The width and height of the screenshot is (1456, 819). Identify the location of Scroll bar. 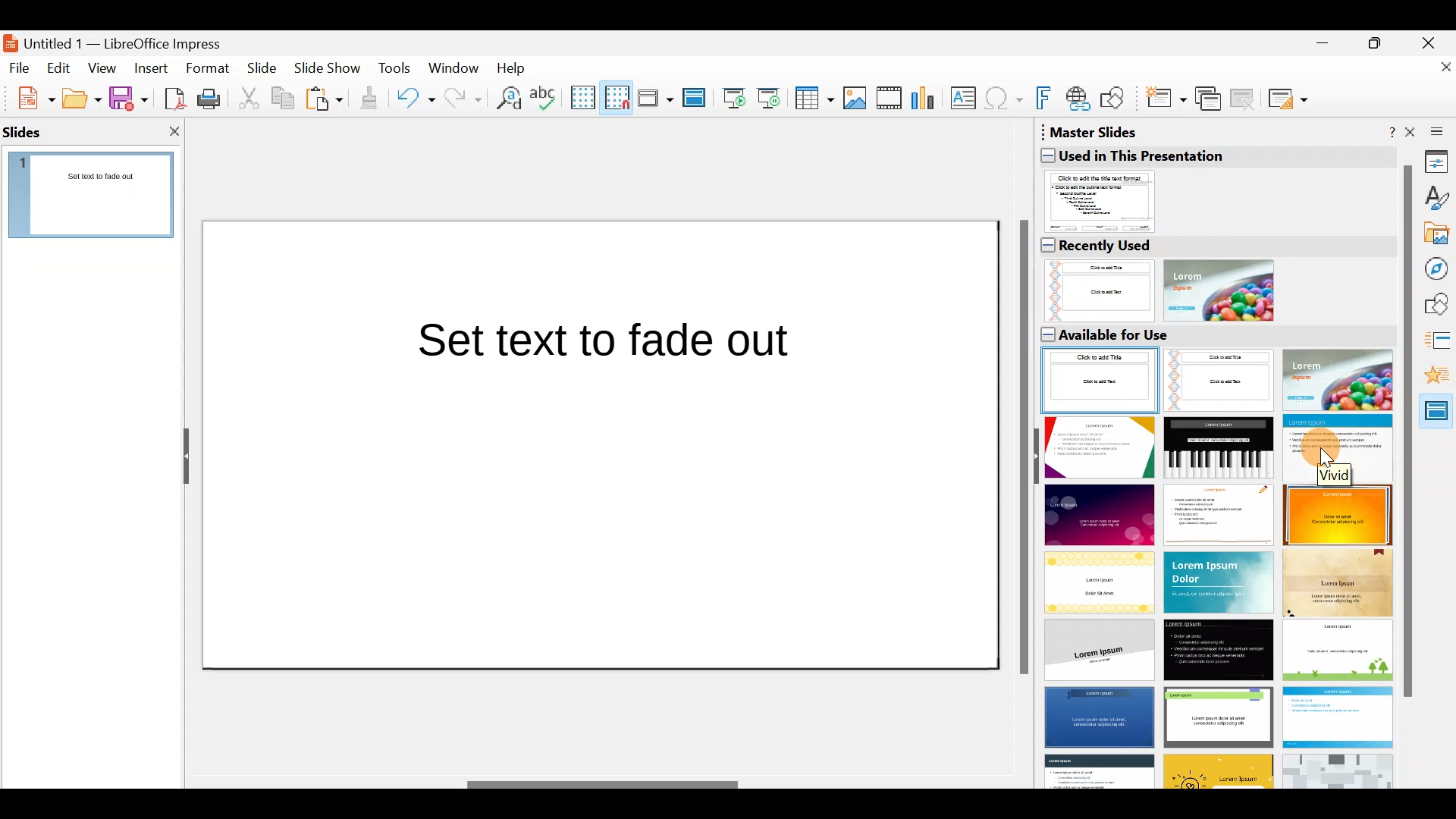
(1021, 449).